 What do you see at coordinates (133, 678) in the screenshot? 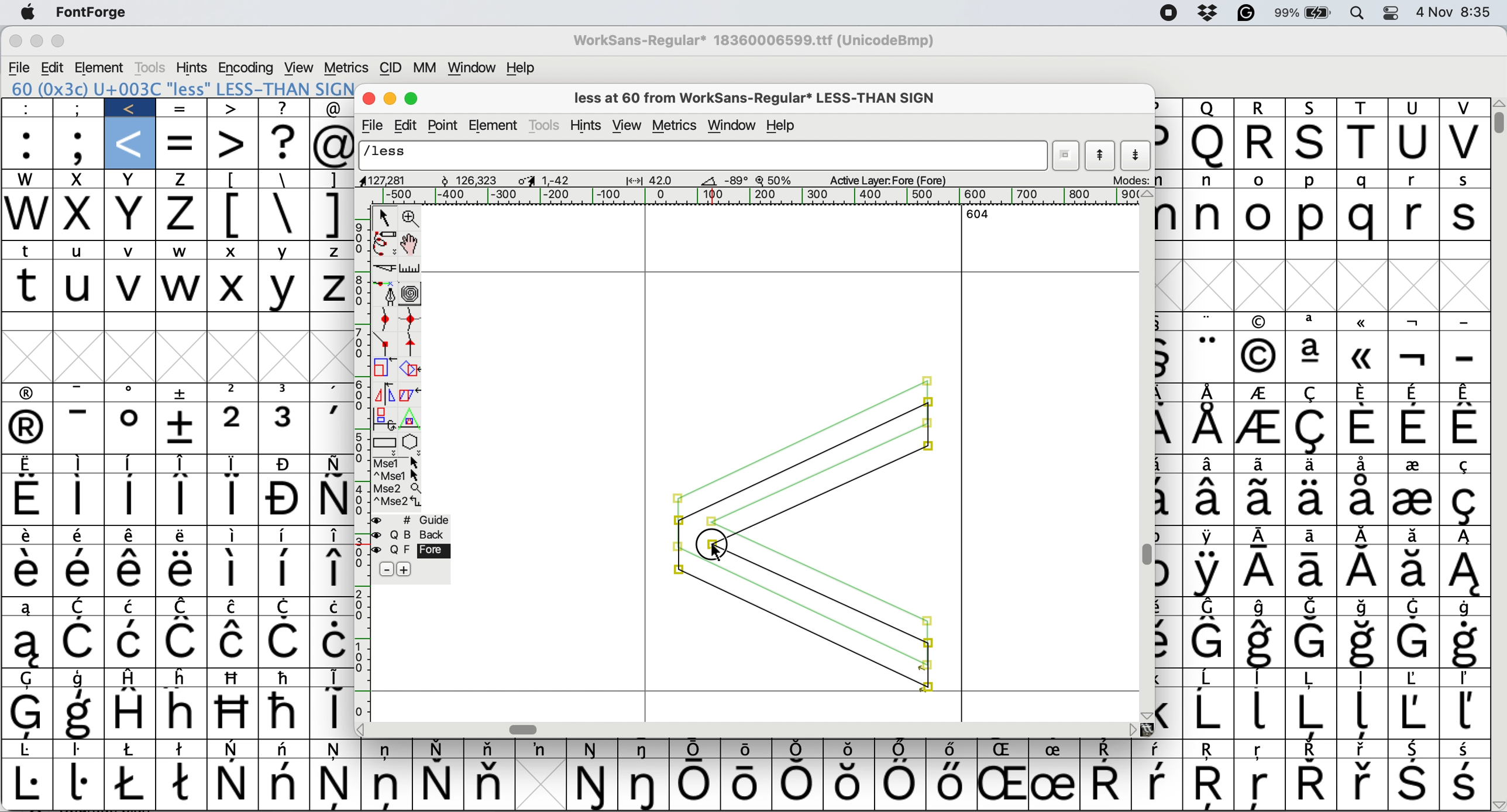
I see `Symbol` at bounding box center [133, 678].